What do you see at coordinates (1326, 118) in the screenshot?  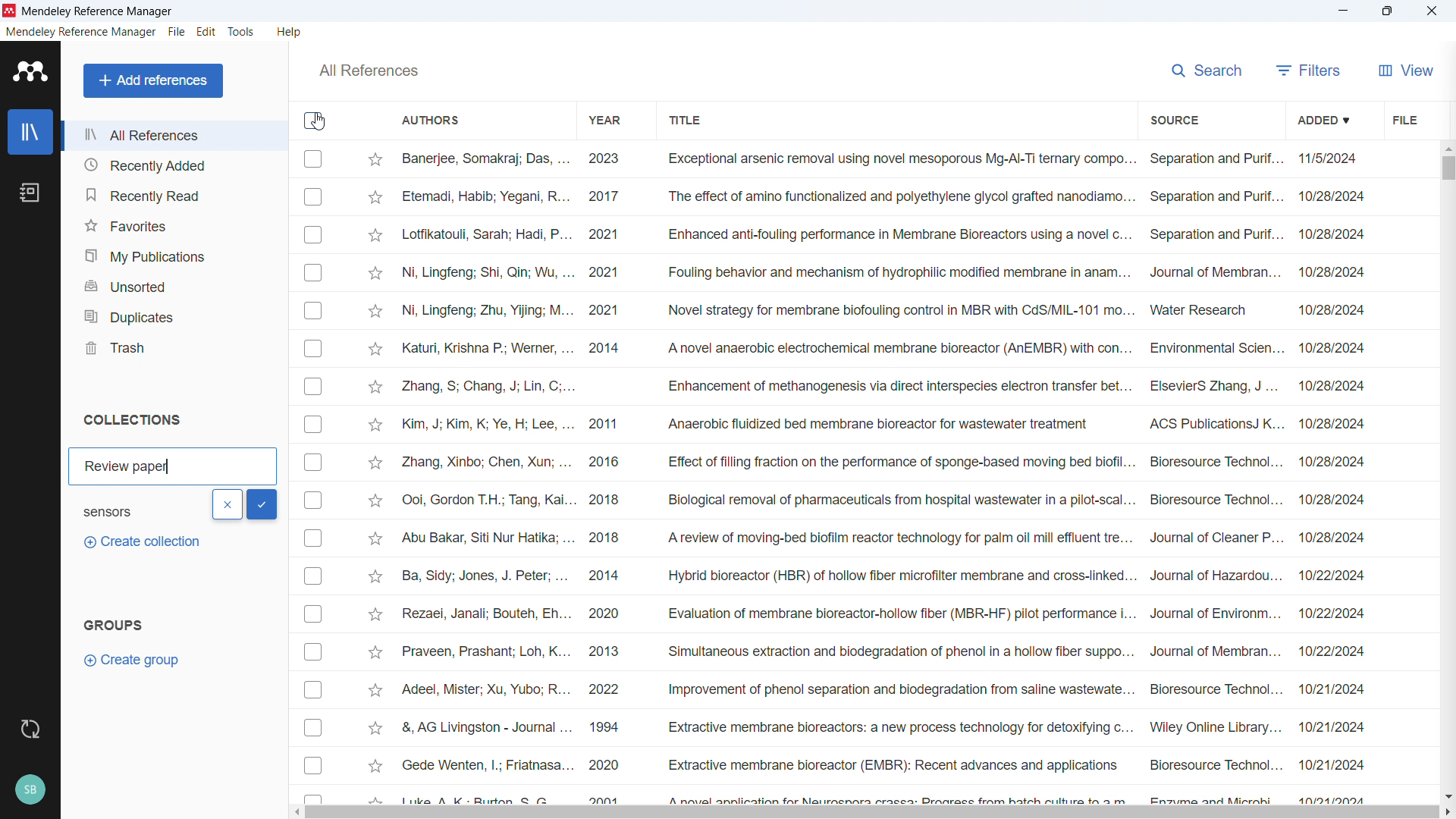 I see `Added` at bounding box center [1326, 118].